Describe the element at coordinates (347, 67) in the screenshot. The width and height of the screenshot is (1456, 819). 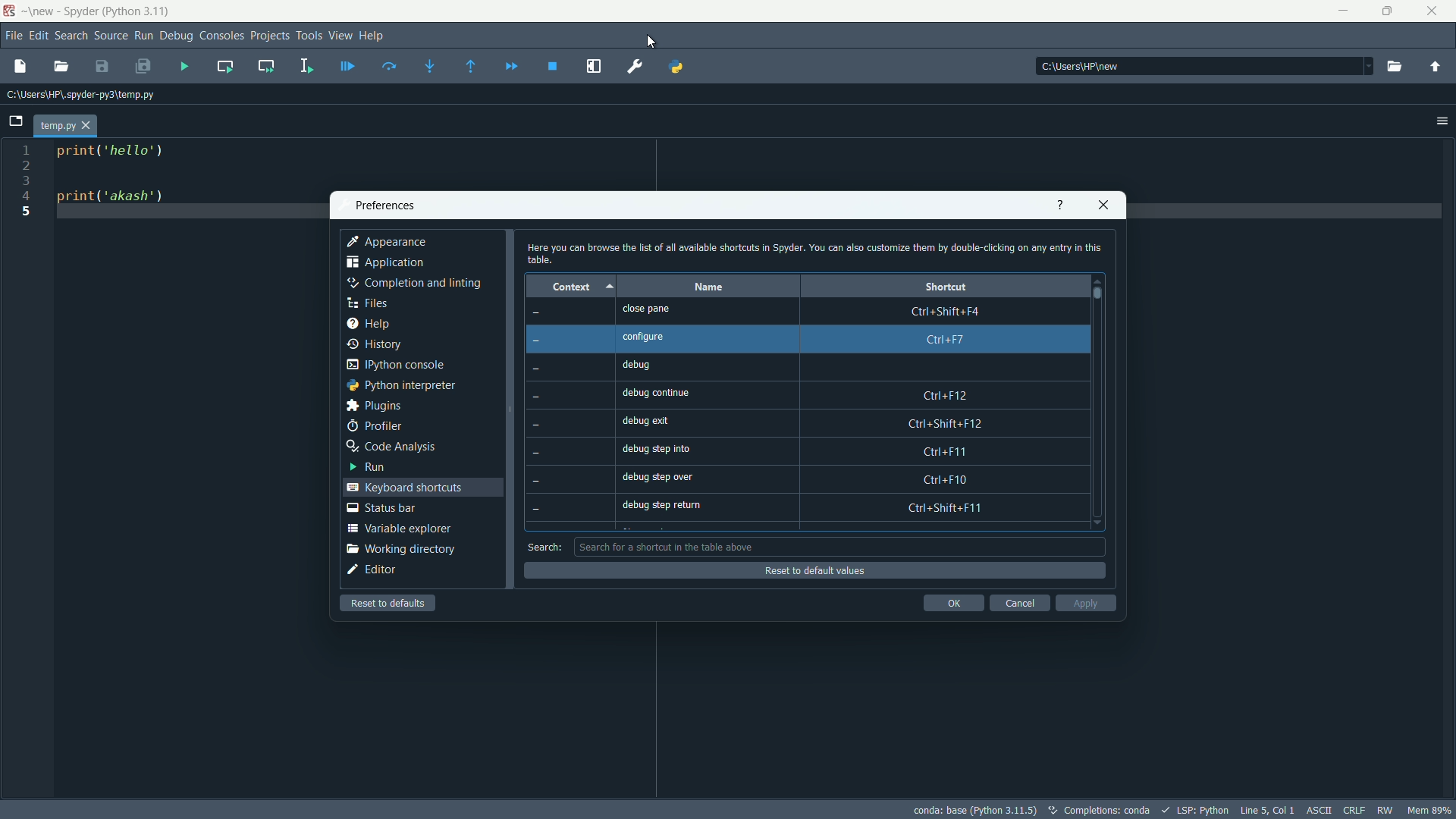
I see `debug file` at that location.